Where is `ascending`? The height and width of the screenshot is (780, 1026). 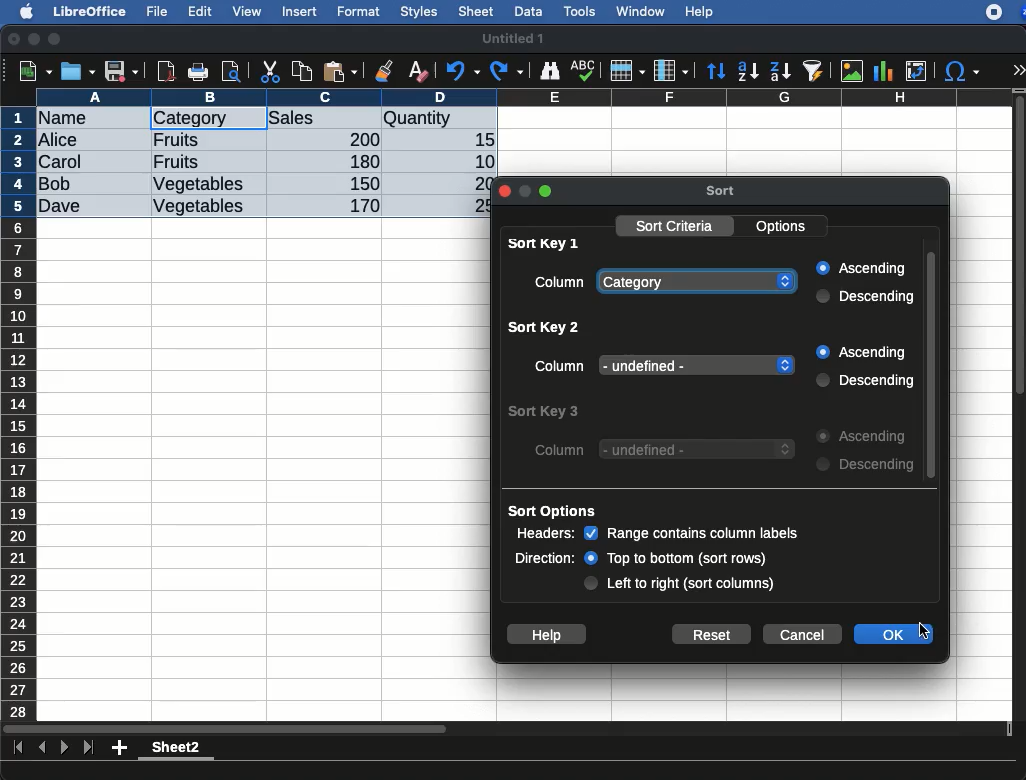 ascending is located at coordinates (748, 70).